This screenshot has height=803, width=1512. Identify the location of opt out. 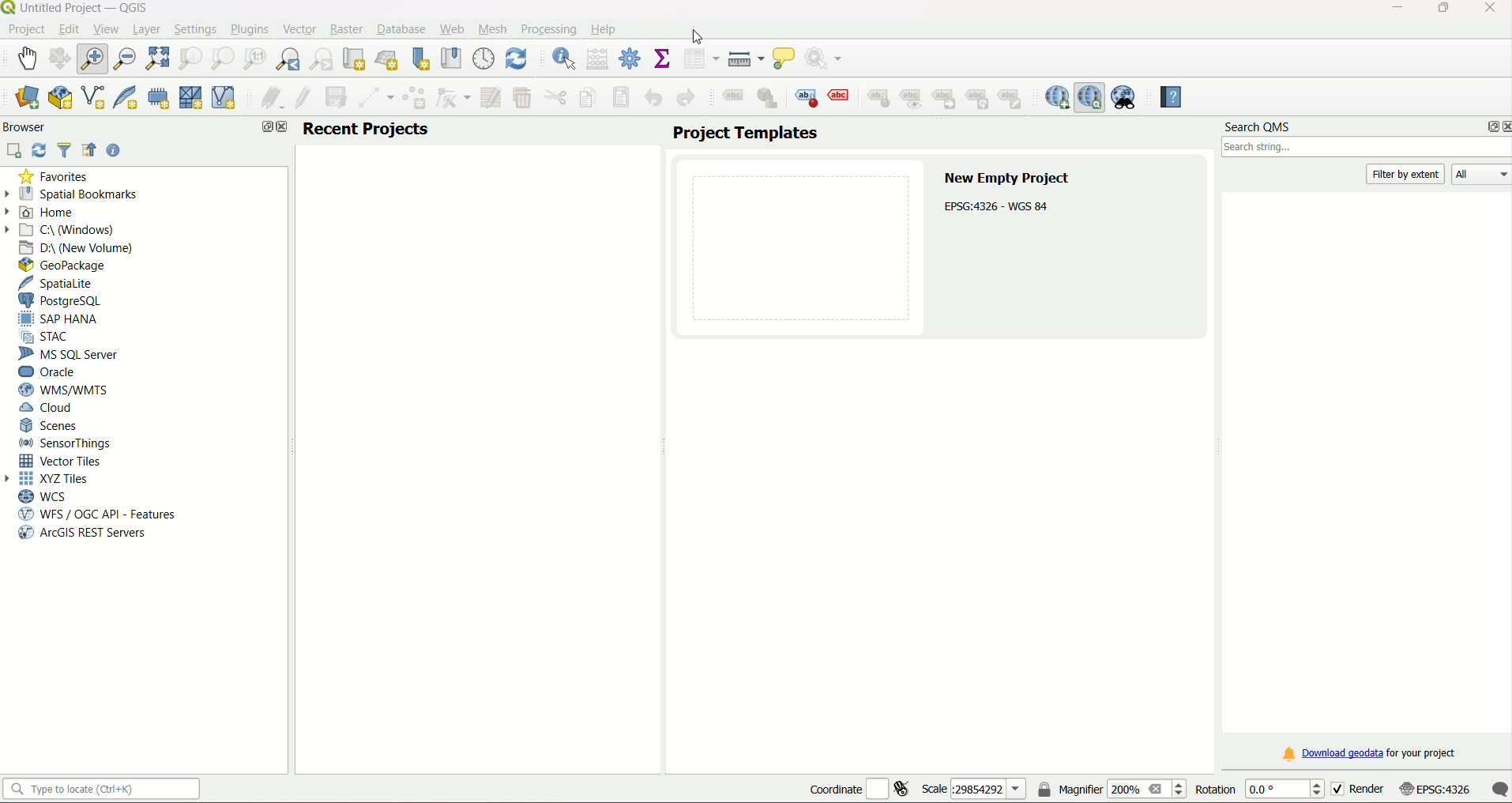
(263, 127).